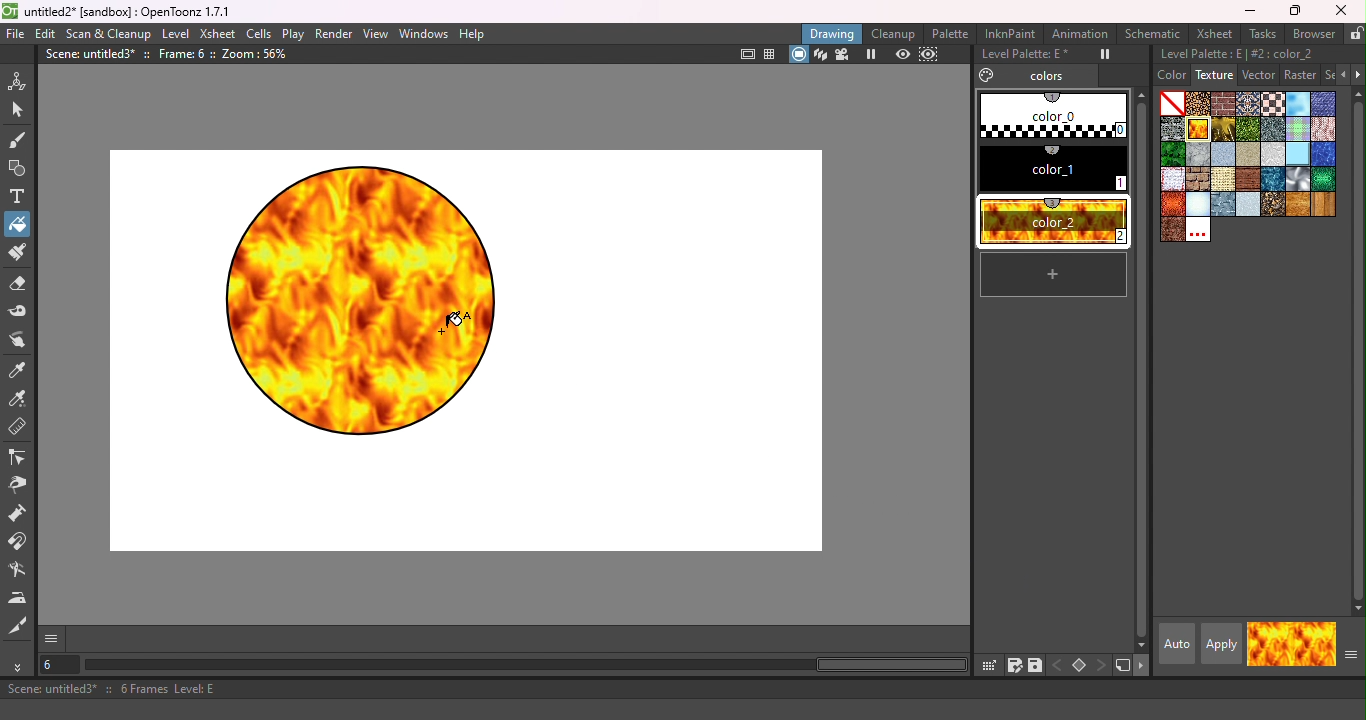 The height and width of the screenshot is (720, 1366). What do you see at coordinates (1225, 154) in the screenshot?
I see `paper 1.bmp` at bounding box center [1225, 154].